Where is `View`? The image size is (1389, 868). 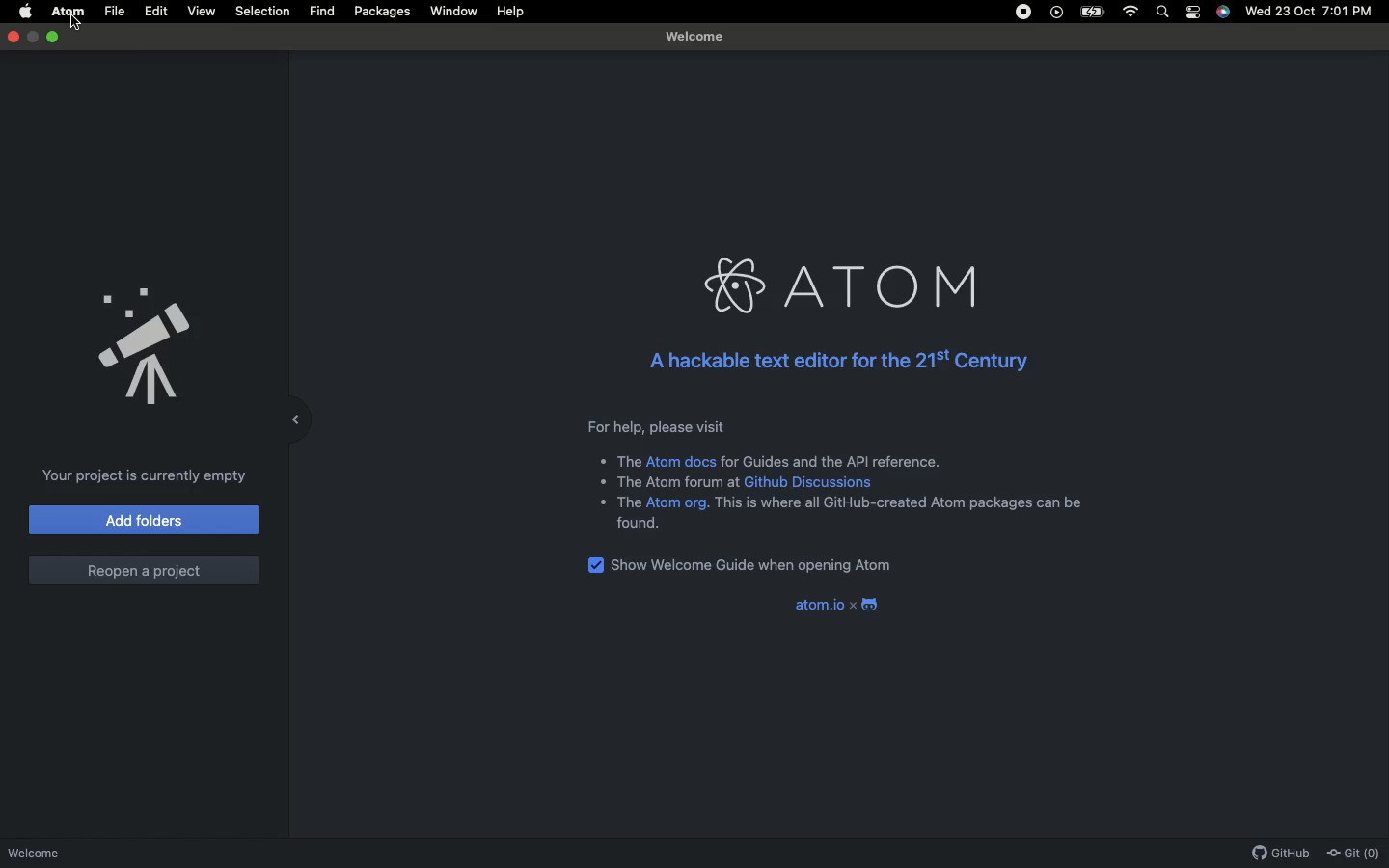 View is located at coordinates (199, 12).